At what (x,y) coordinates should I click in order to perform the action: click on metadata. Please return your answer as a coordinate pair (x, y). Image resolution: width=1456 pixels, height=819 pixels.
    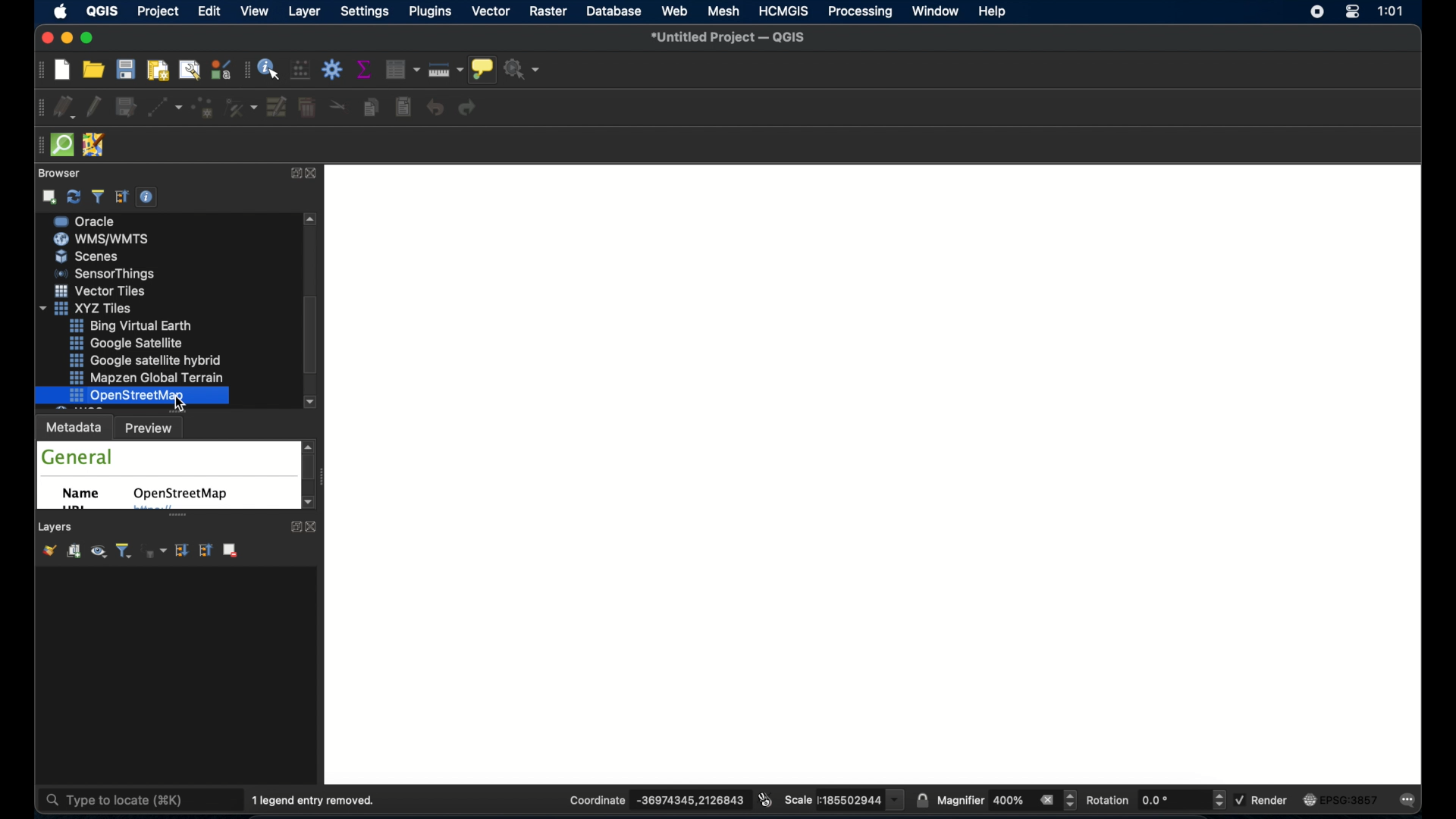
    Looking at the image, I should click on (74, 428).